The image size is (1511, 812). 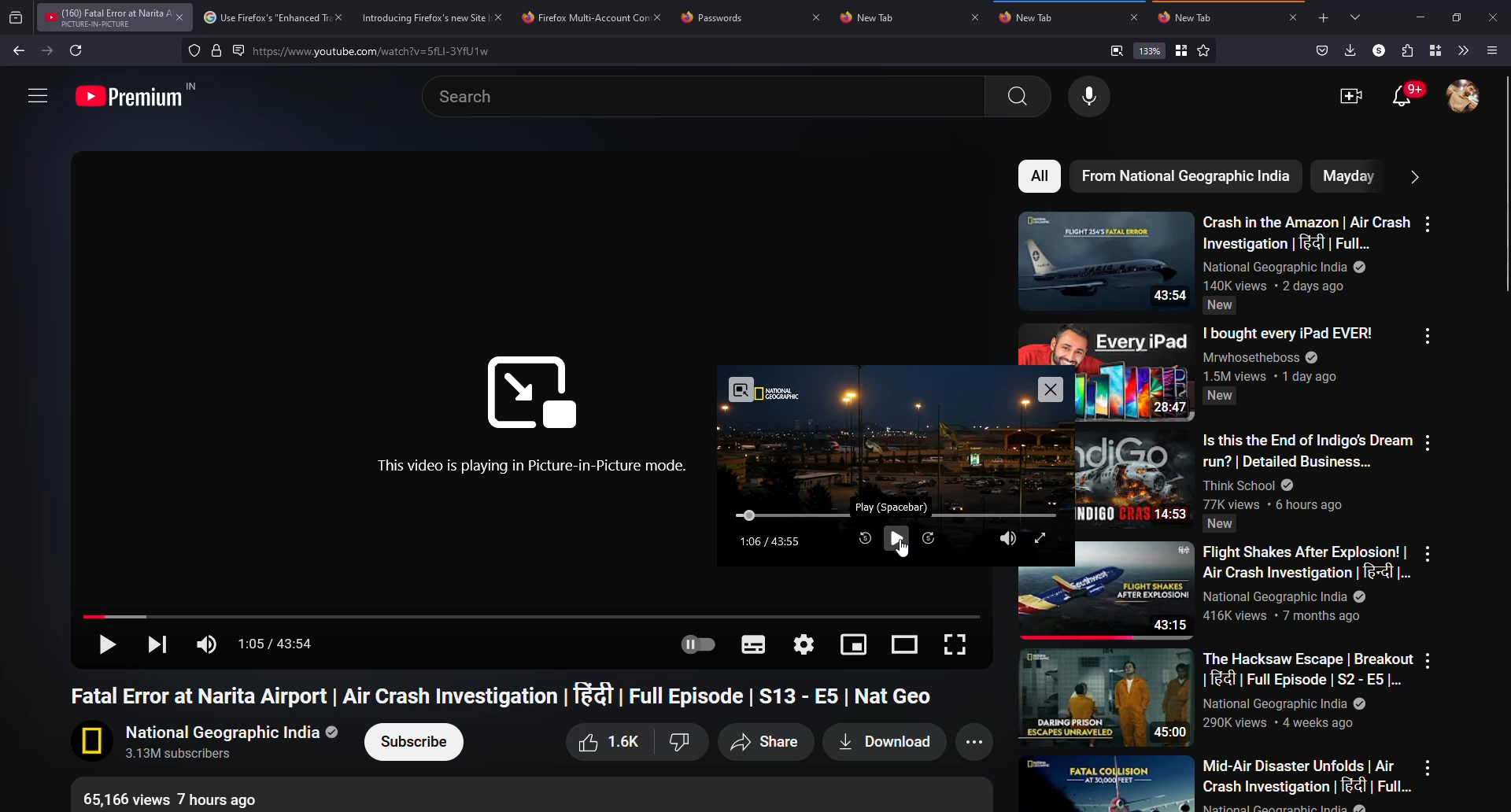 What do you see at coordinates (208, 743) in the screenshot?
I see `channel name, logo and subscribers` at bounding box center [208, 743].